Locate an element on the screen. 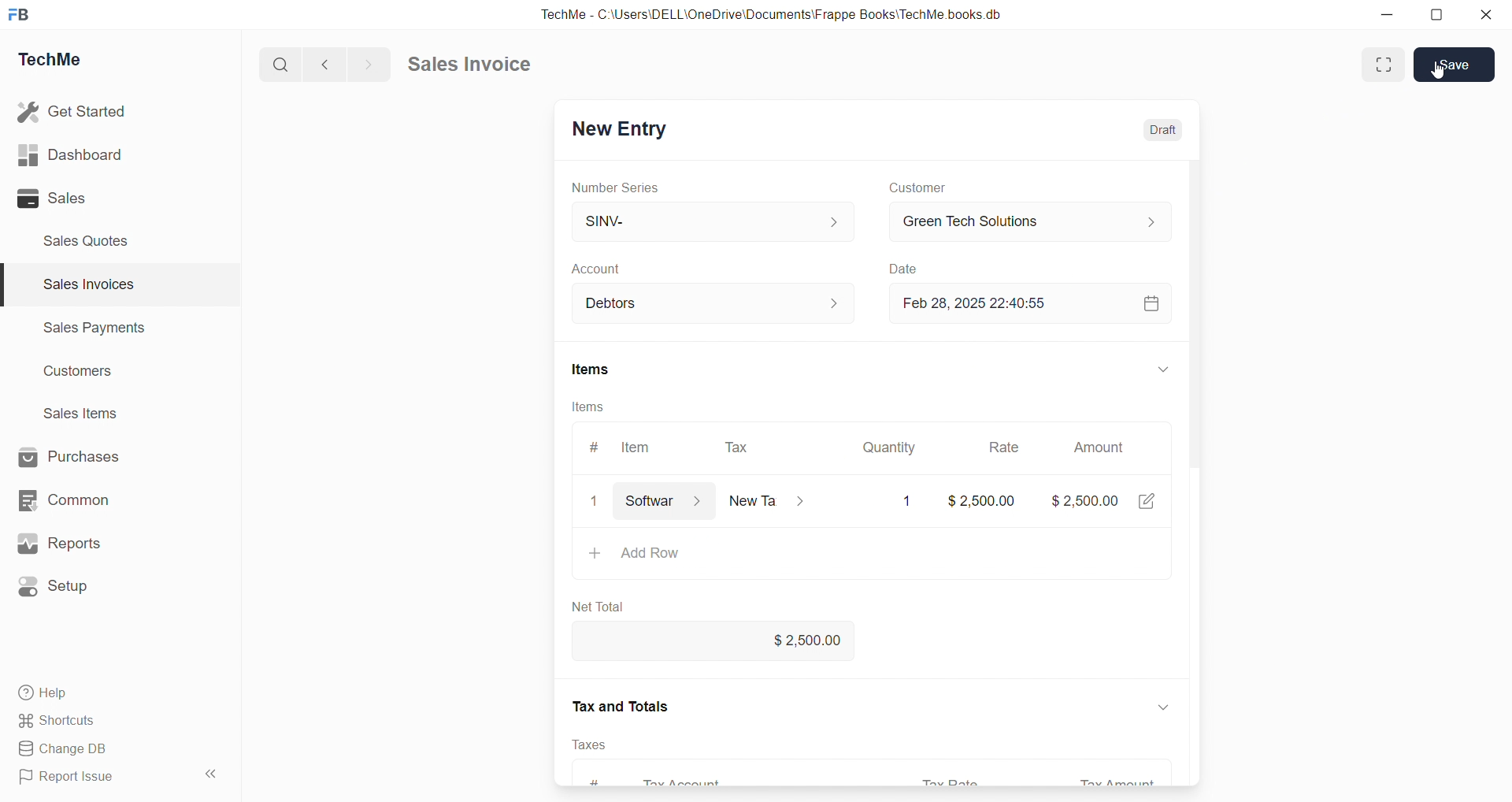 This screenshot has height=802, width=1512. search is located at coordinates (278, 65).